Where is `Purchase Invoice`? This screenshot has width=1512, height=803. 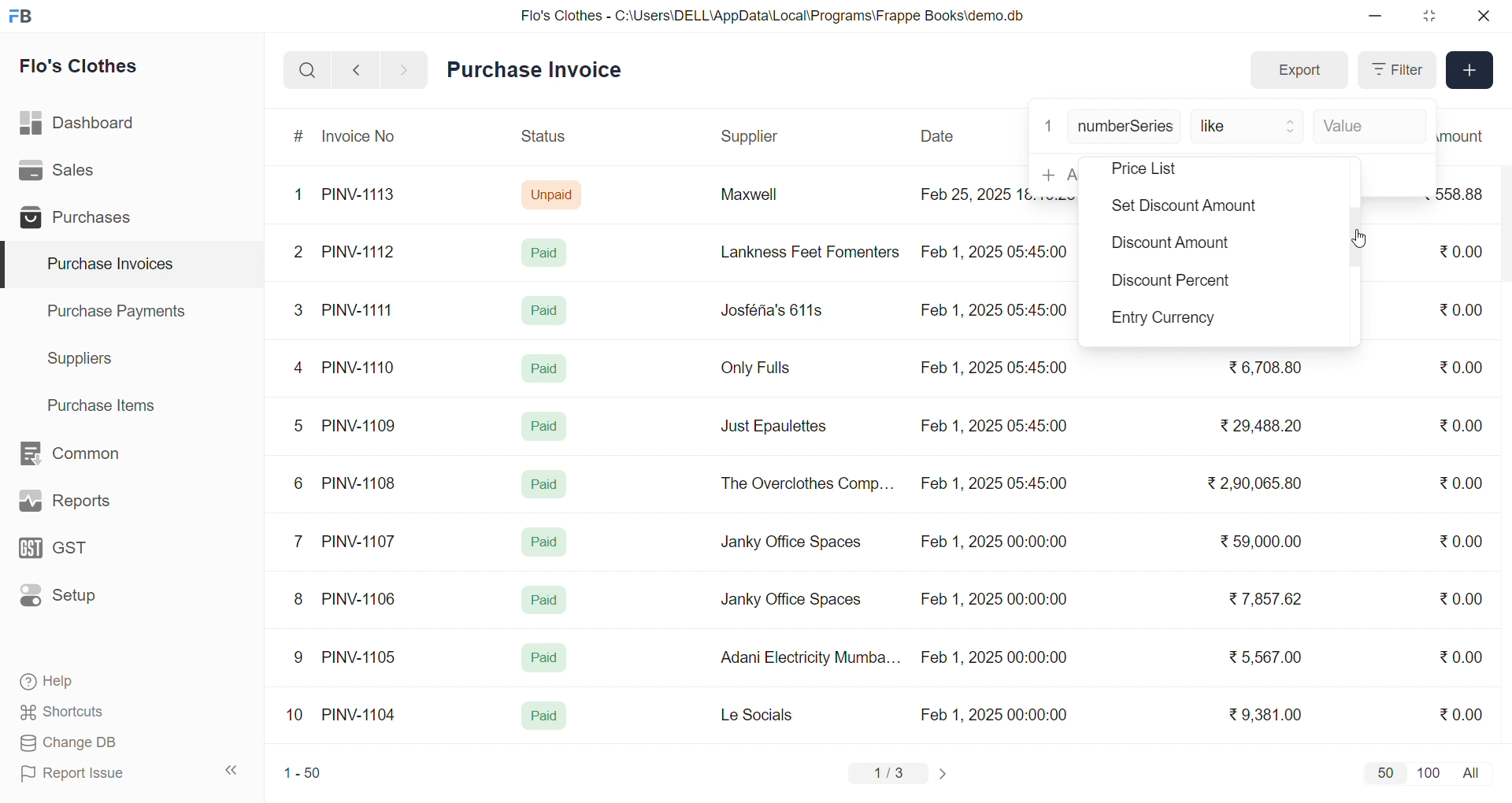
Purchase Invoice is located at coordinates (539, 70).